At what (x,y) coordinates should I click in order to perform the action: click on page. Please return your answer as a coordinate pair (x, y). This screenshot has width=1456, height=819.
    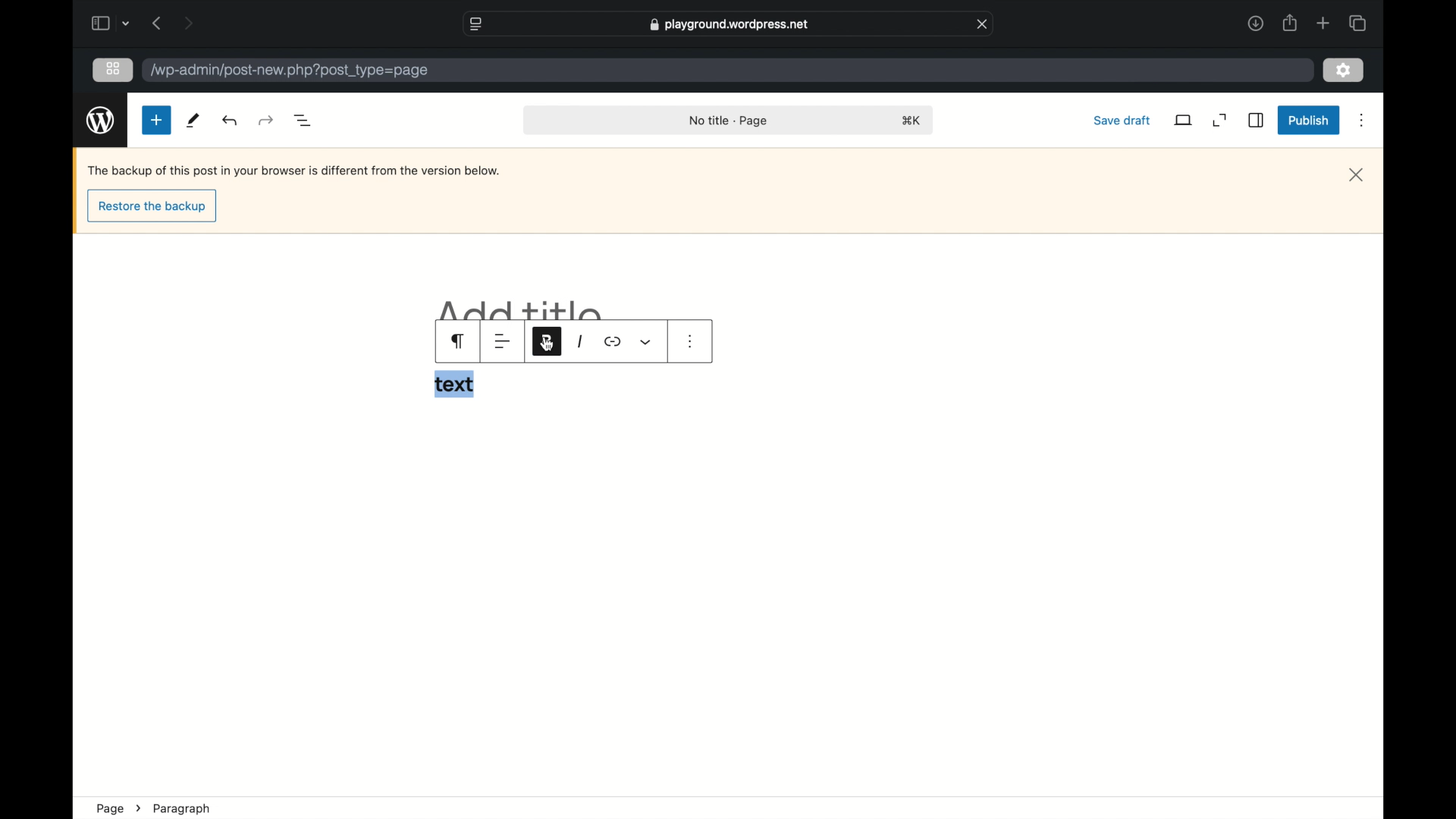
    Looking at the image, I should click on (109, 808).